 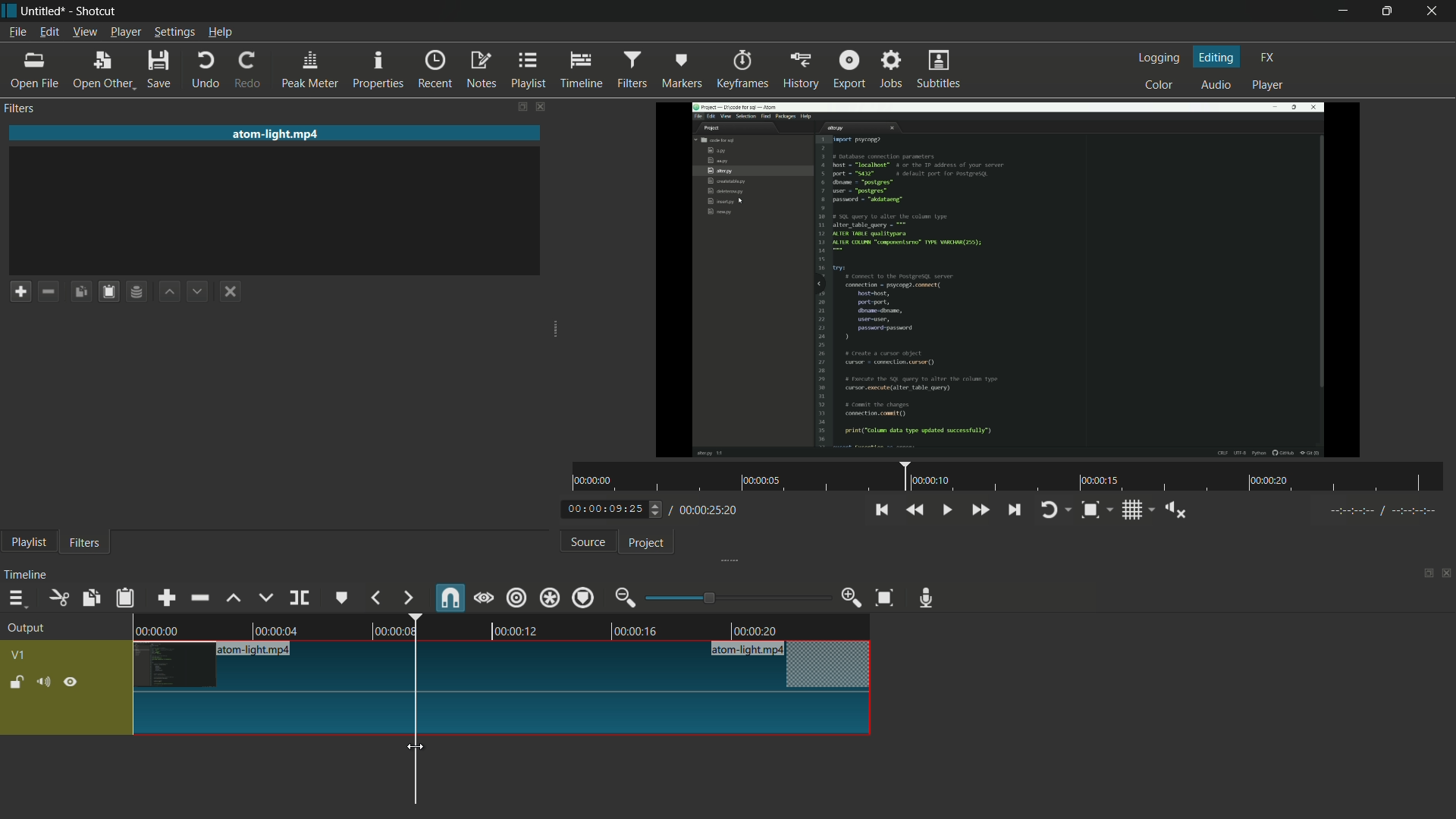 I want to click on ripple markers, so click(x=585, y=597).